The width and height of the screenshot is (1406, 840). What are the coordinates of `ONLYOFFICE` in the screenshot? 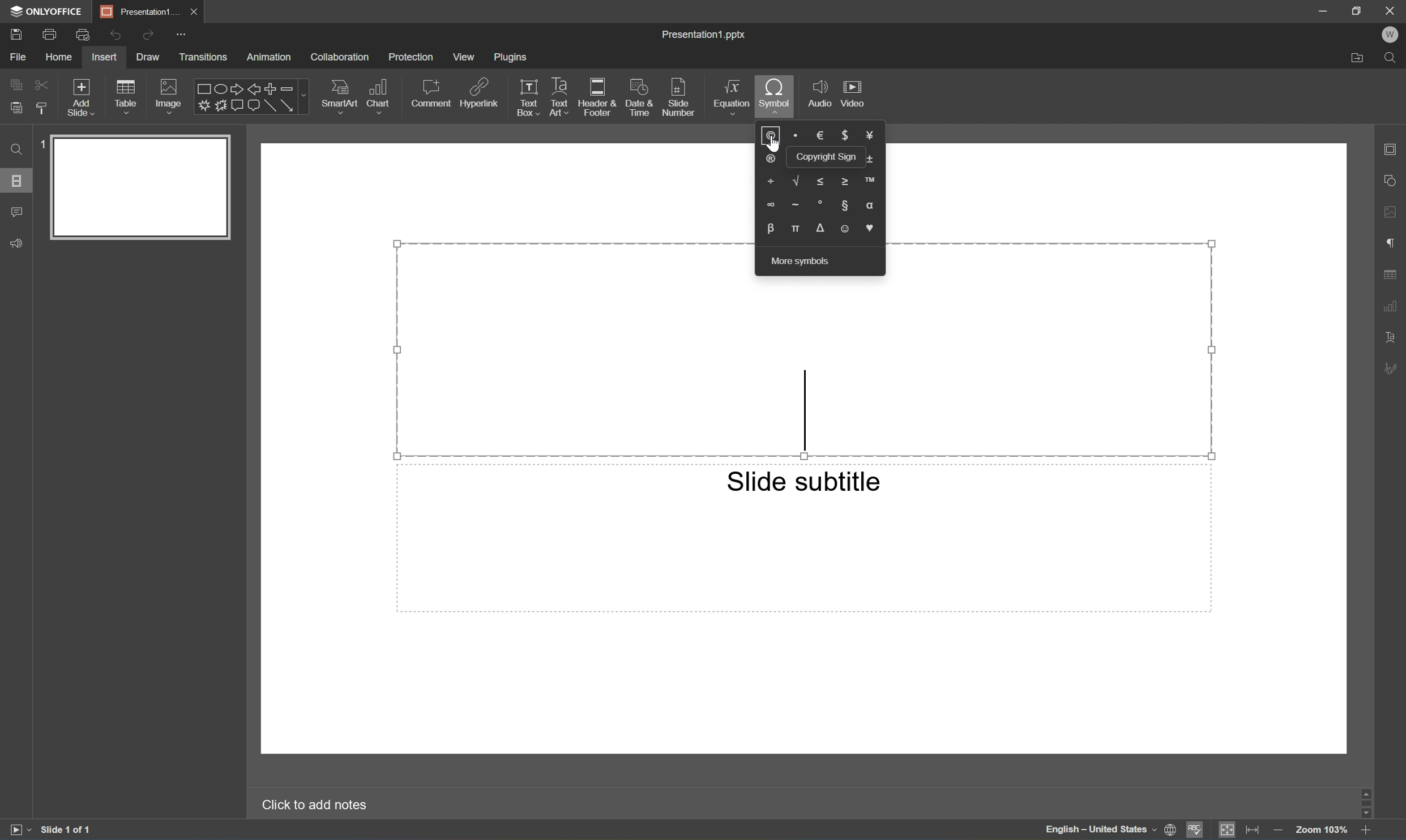 It's located at (46, 11).